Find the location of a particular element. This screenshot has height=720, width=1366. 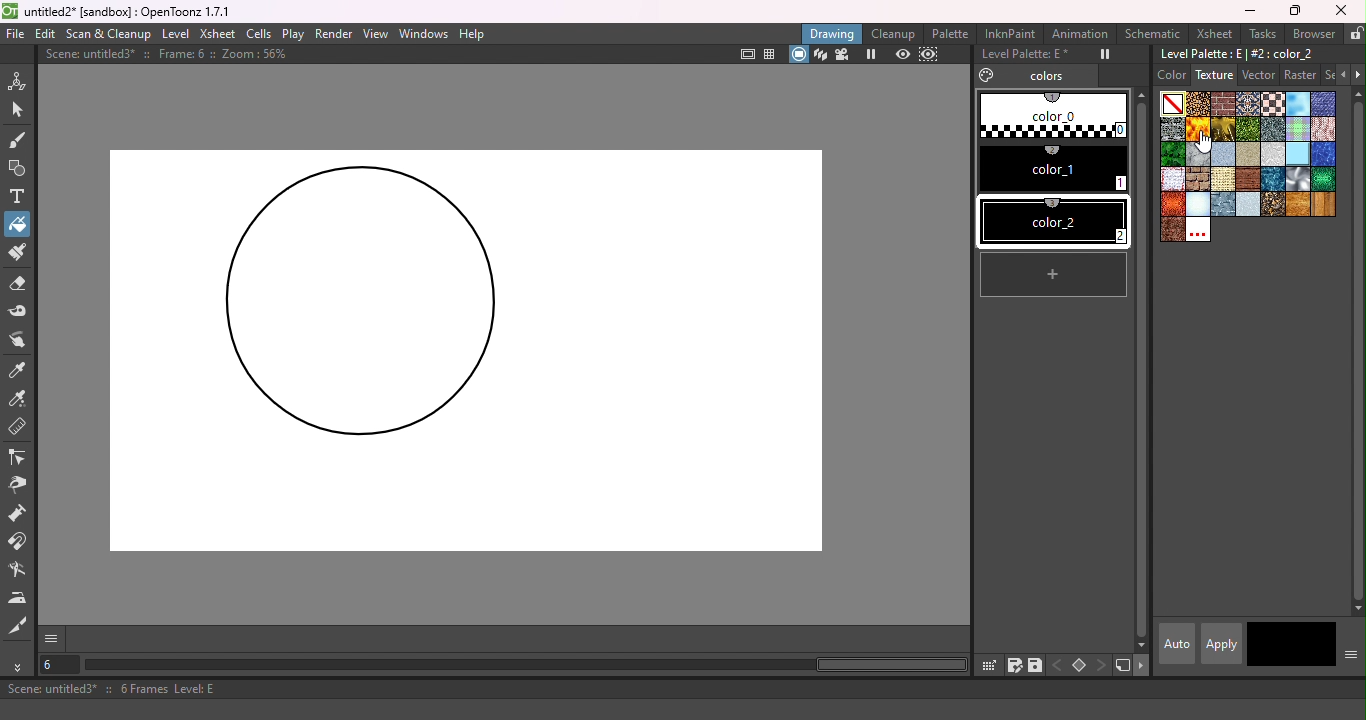

previous key is located at coordinates (1058, 663).